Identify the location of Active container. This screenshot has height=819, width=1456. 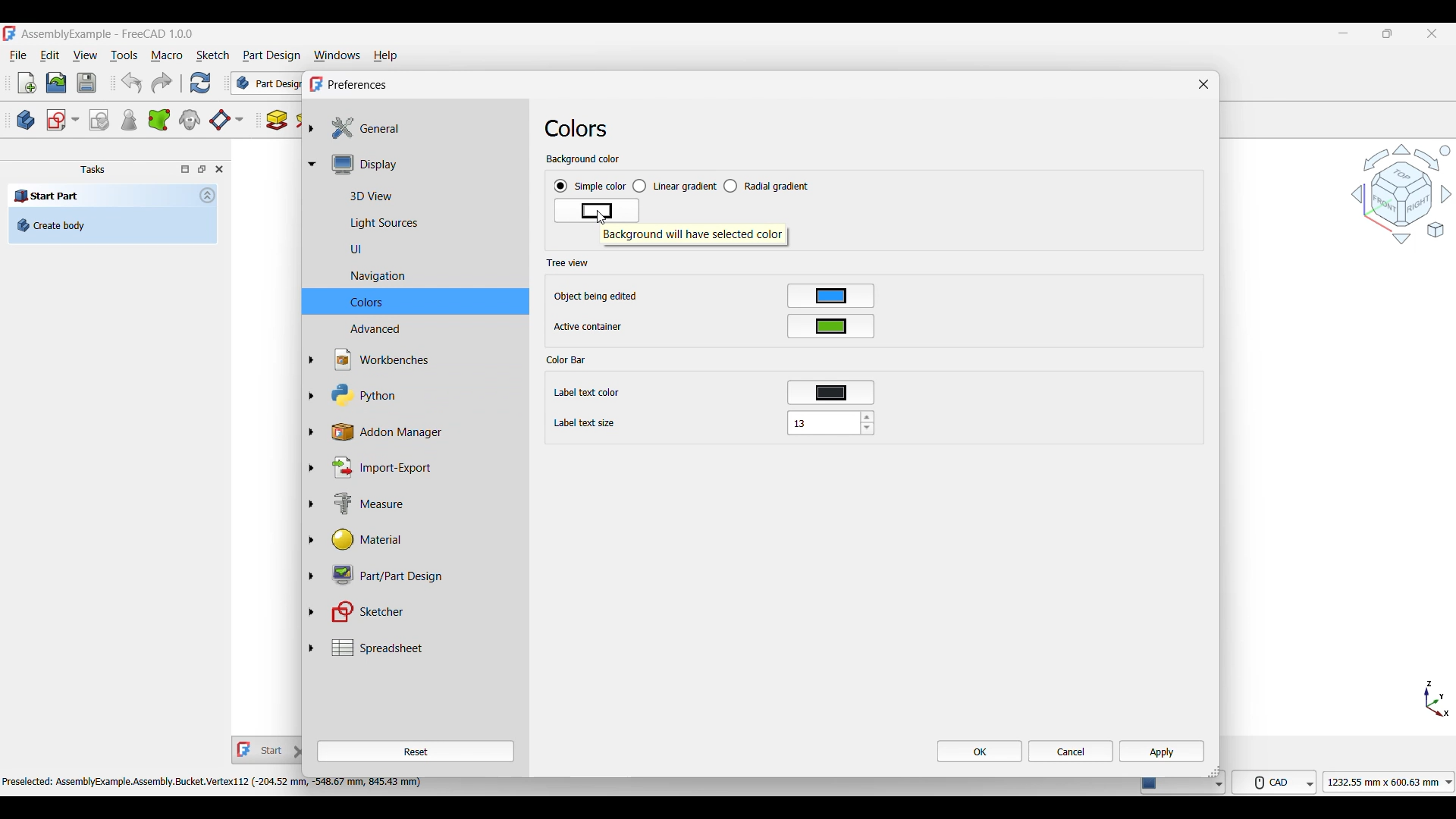
(589, 327).